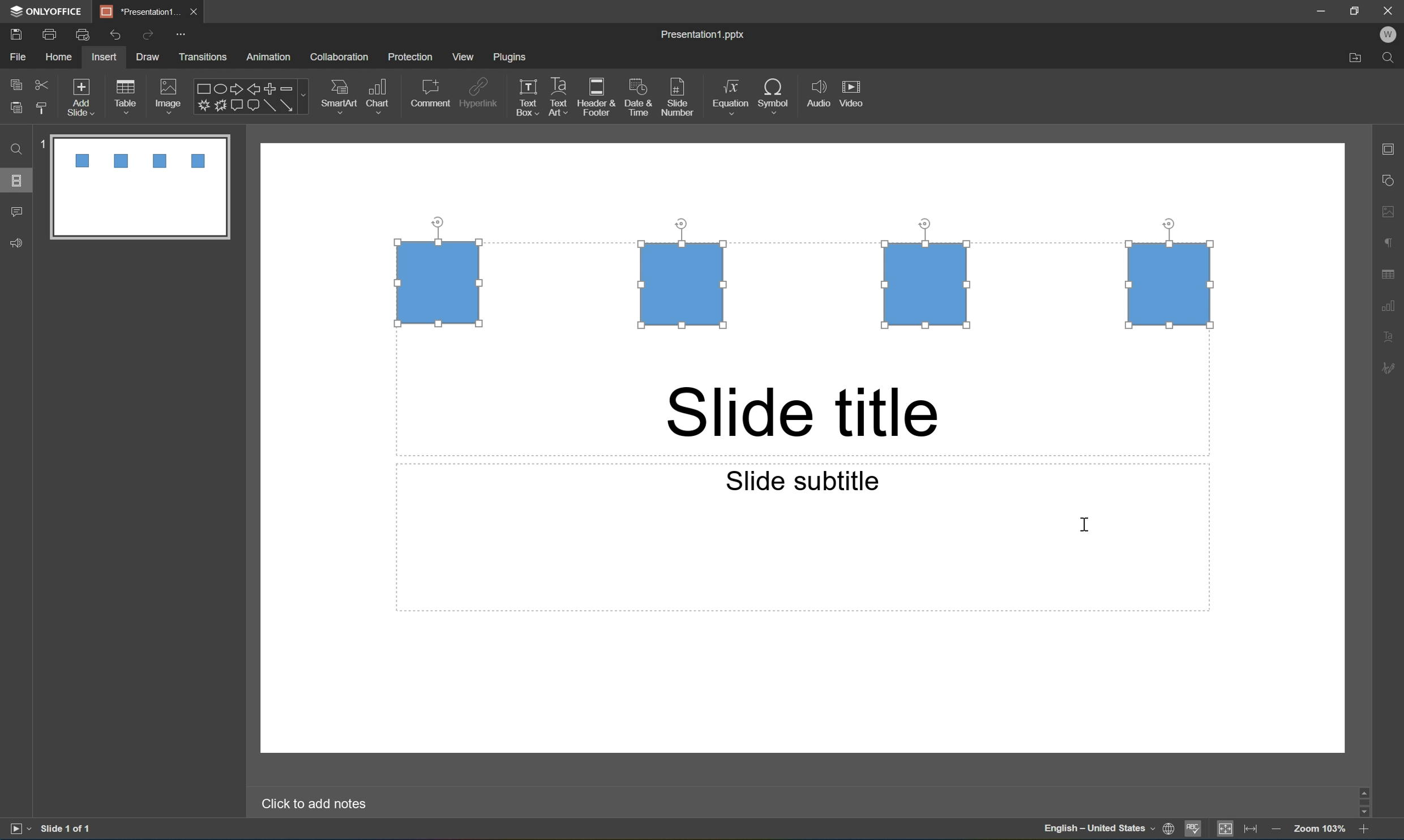 This screenshot has width=1404, height=840. Describe the element at coordinates (58, 58) in the screenshot. I see `home` at that location.